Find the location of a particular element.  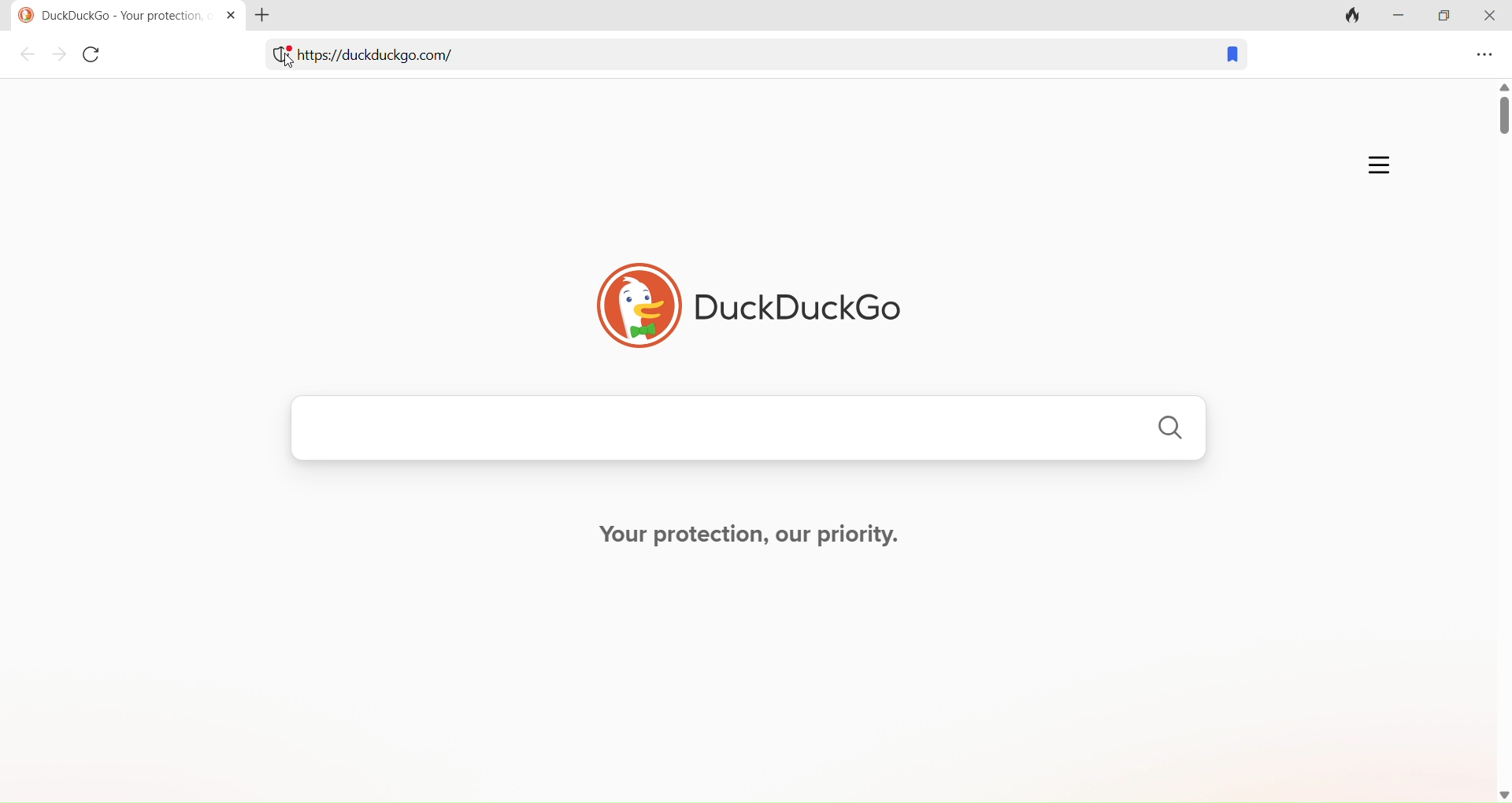

minimize is located at coordinates (1403, 20).